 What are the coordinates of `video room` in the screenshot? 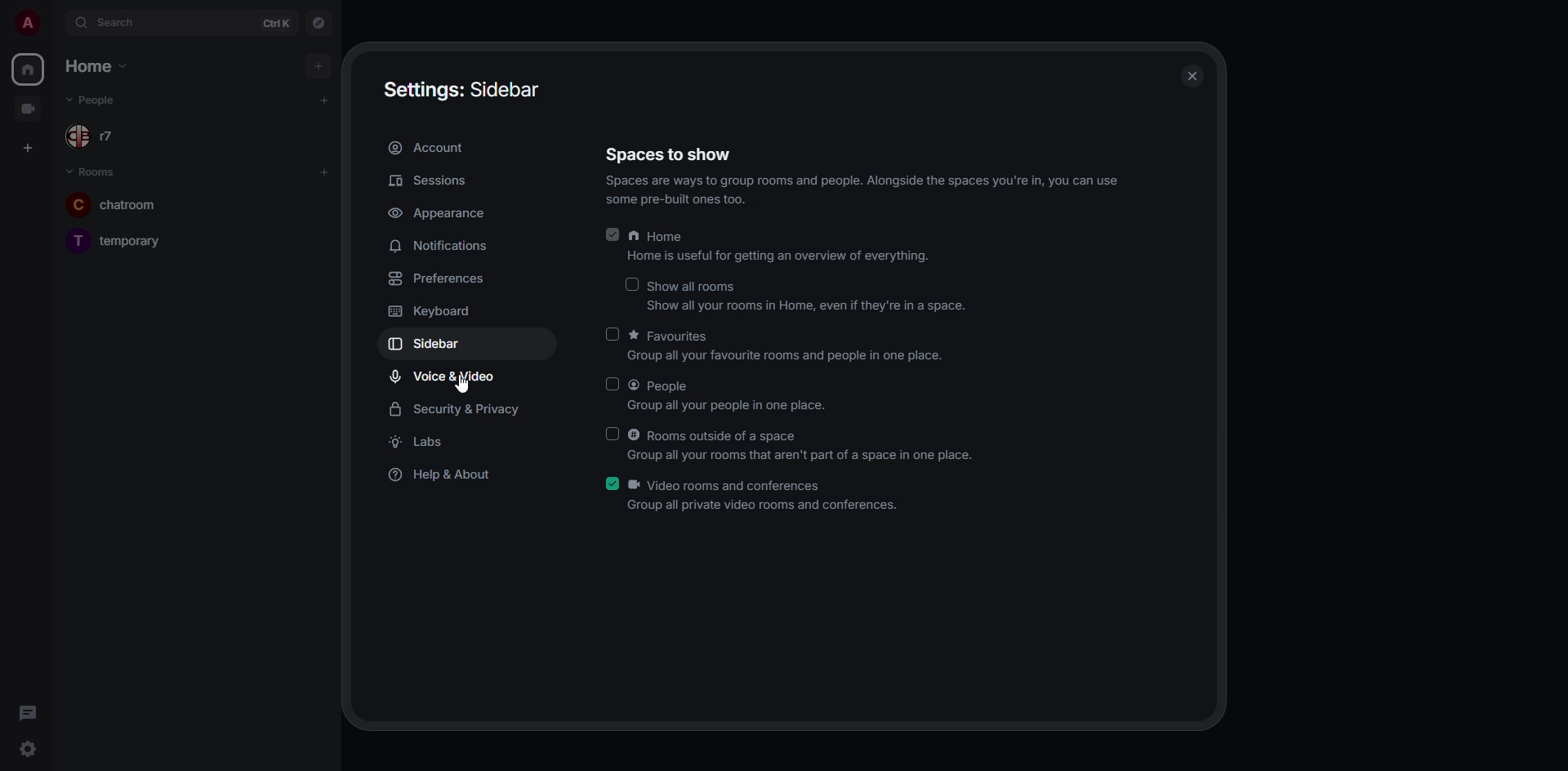 It's located at (28, 107).